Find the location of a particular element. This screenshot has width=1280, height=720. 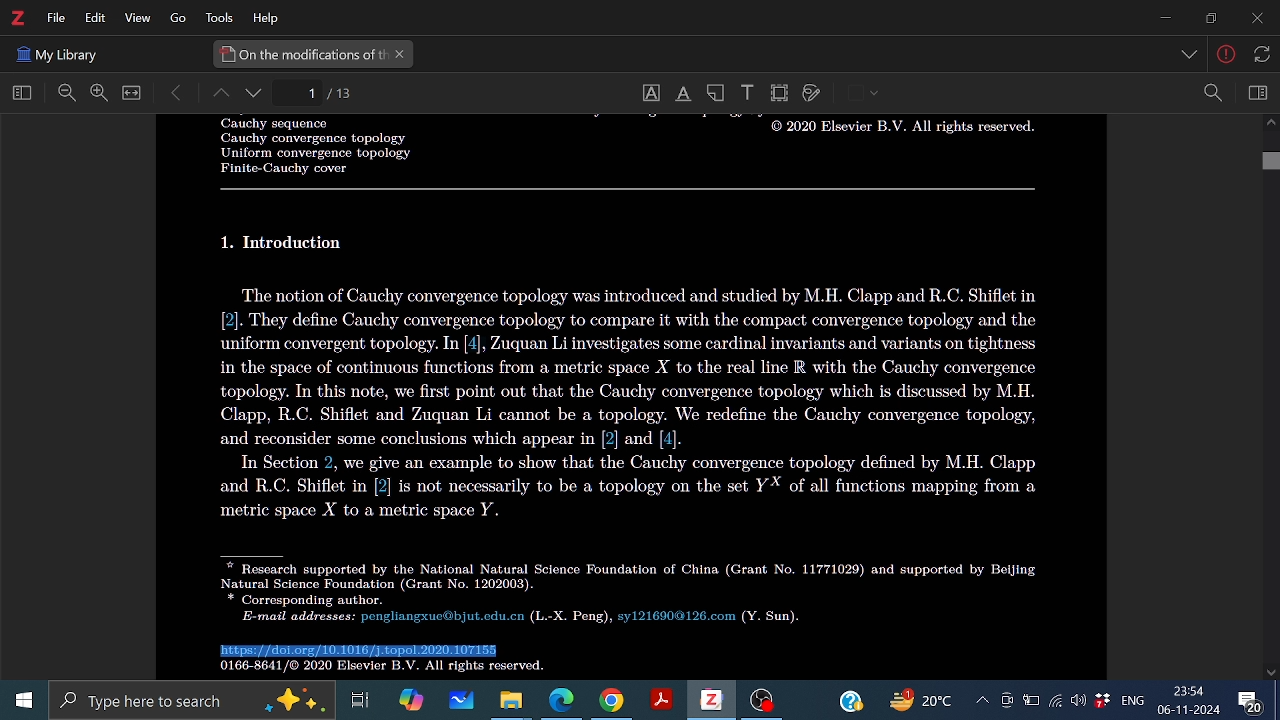

Add note is located at coordinates (718, 92).